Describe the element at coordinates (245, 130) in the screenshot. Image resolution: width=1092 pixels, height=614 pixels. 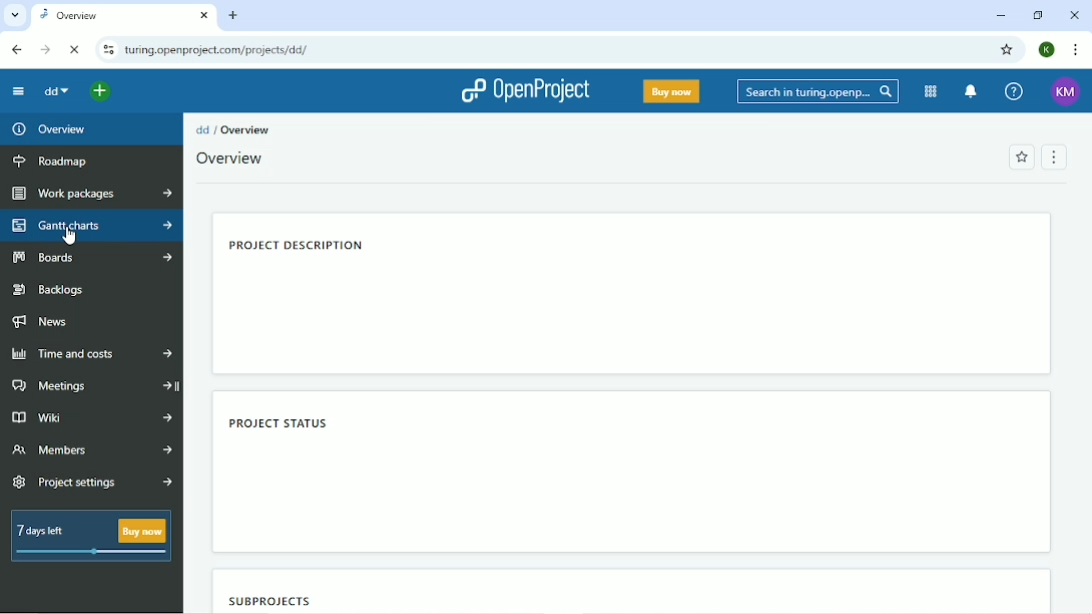
I see `Overview` at that location.